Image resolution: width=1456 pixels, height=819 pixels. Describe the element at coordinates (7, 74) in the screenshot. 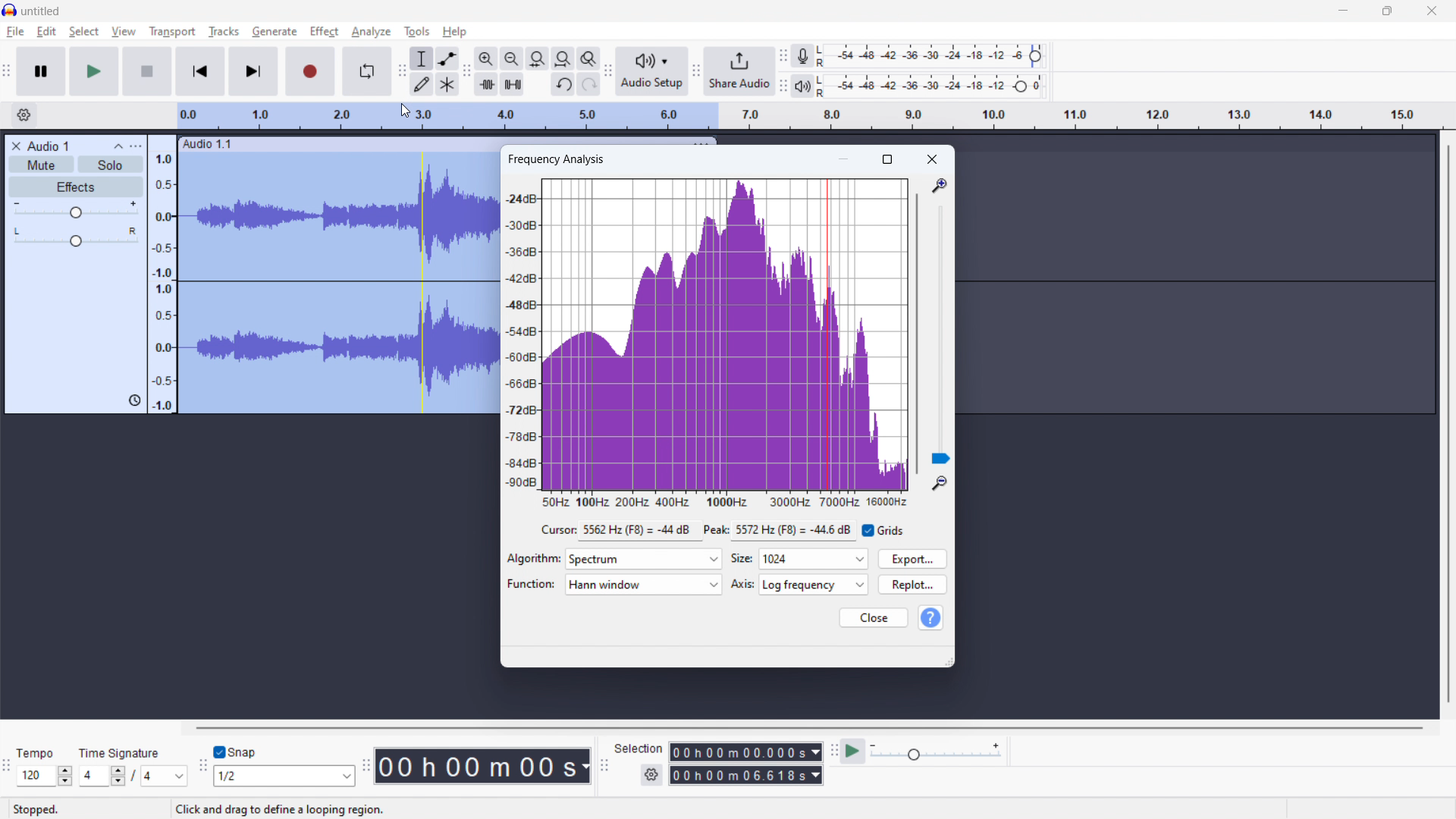

I see `transport toolbar` at that location.